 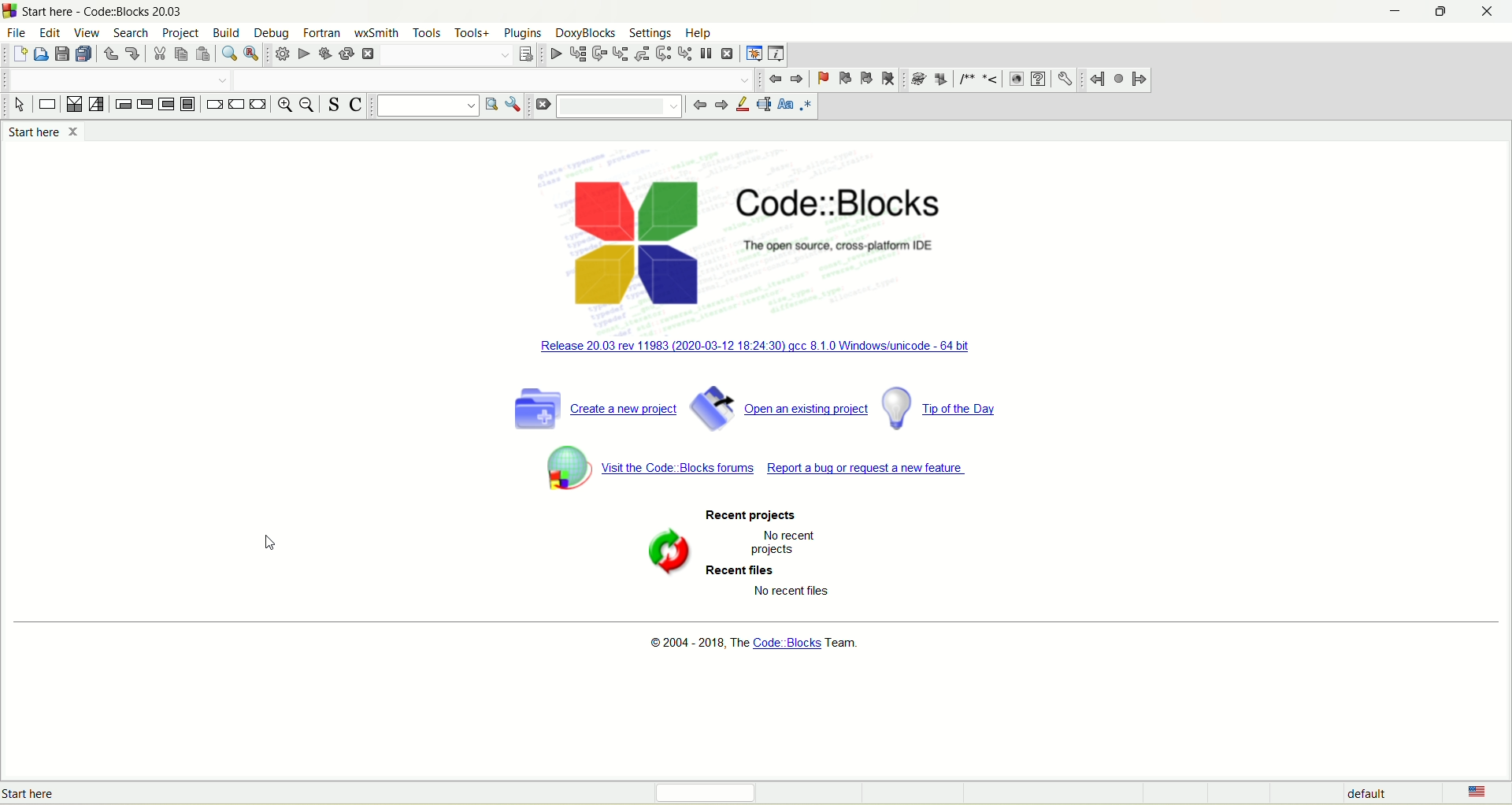 What do you see at coordinates (773, 79) in the screenshot?
I see `jump back` at bounding box center [773, 79].